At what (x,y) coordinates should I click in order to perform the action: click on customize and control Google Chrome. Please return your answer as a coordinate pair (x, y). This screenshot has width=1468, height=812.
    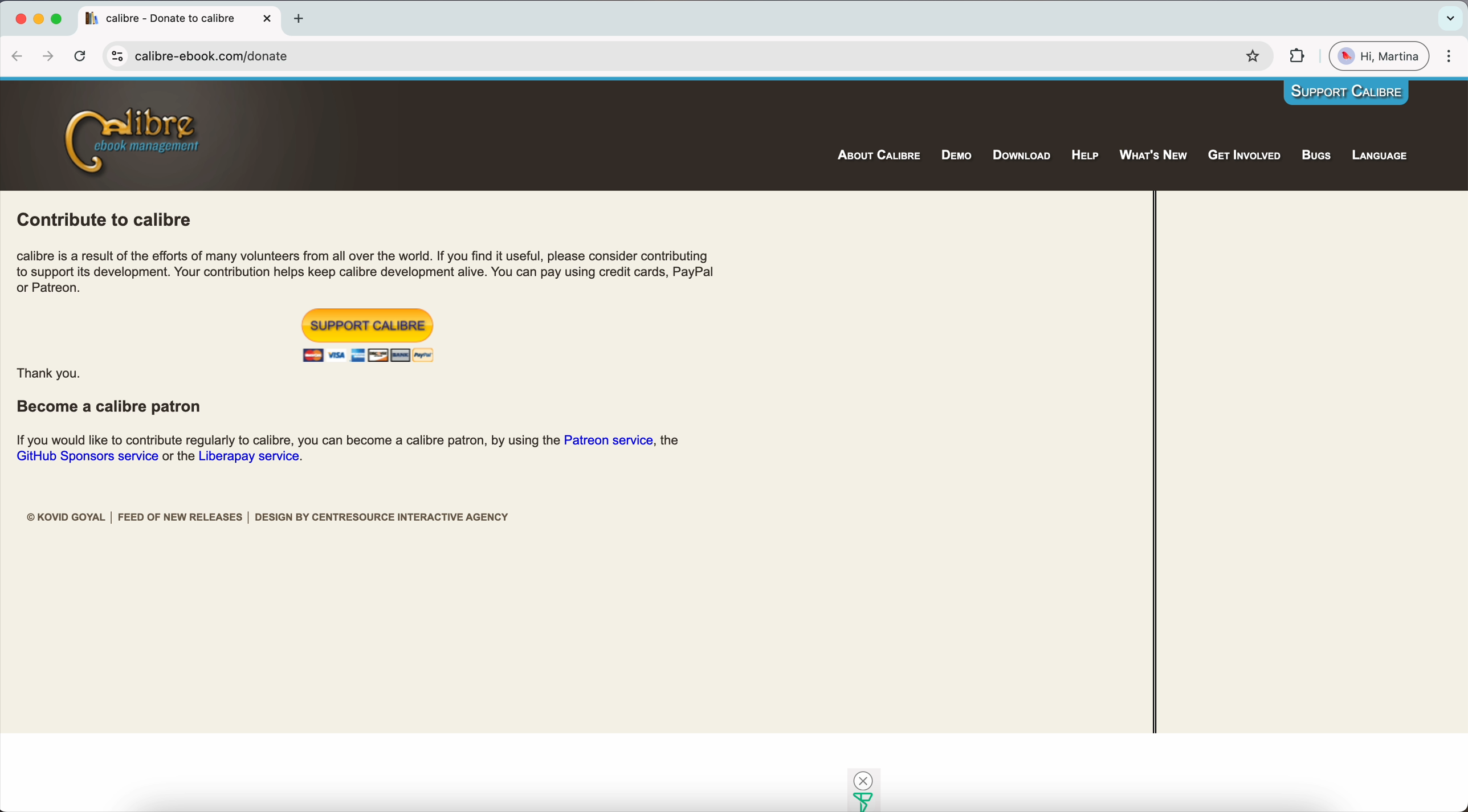
    Looking at the image, I should click on (1450, 55).